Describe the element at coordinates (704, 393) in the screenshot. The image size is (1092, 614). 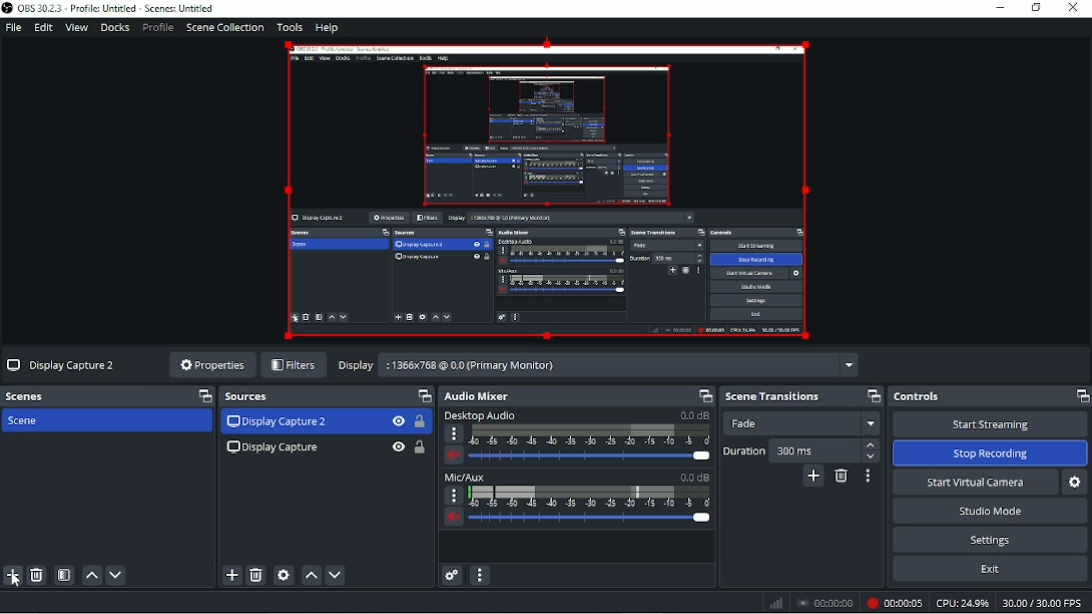
I see `Maximize` at that location.